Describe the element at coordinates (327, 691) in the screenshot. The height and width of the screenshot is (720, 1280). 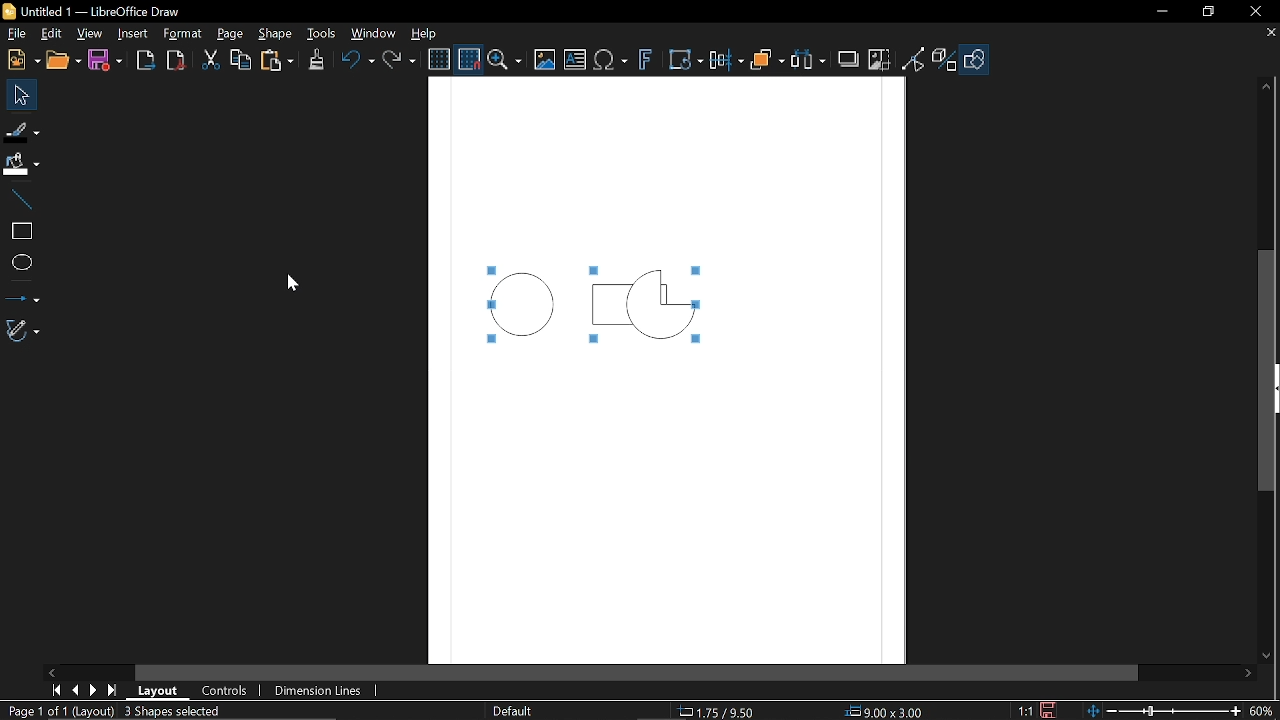
I see `Dimension lines` at that location.